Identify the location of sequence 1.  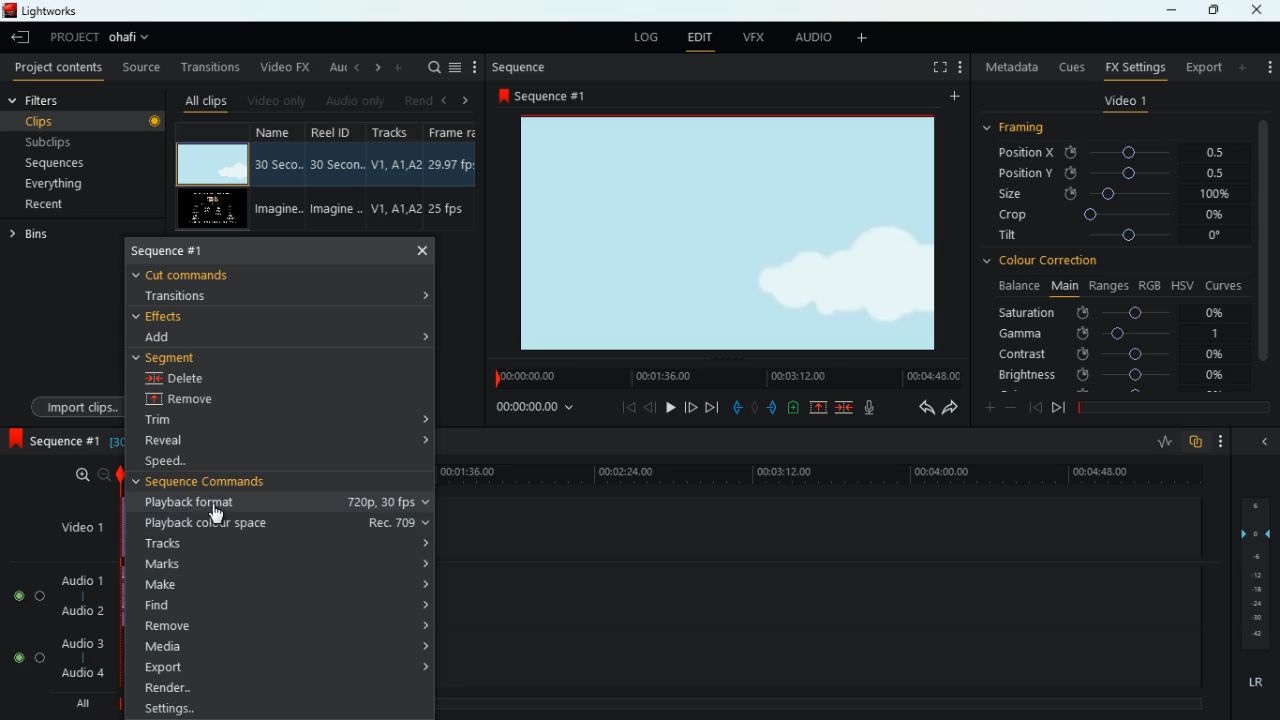
(51, 439).